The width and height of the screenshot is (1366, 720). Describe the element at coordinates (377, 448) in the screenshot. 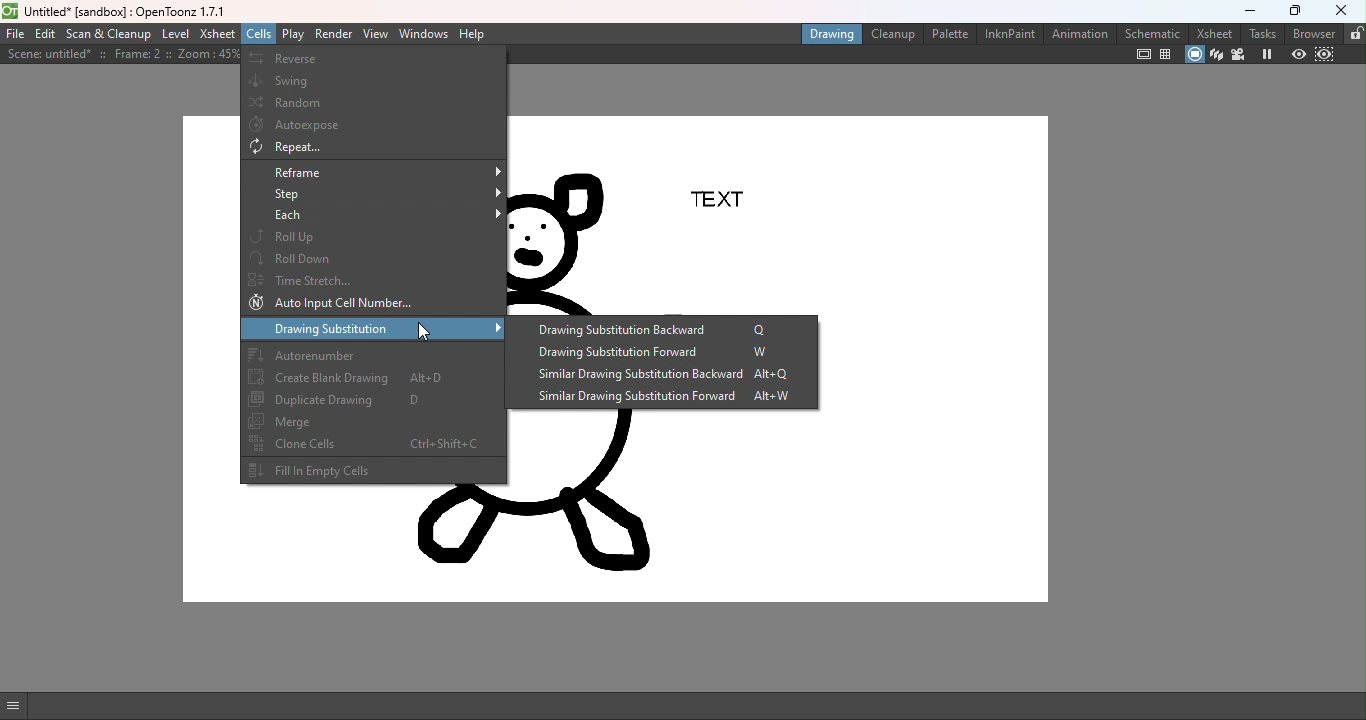

I see `Clone cells` at that location.